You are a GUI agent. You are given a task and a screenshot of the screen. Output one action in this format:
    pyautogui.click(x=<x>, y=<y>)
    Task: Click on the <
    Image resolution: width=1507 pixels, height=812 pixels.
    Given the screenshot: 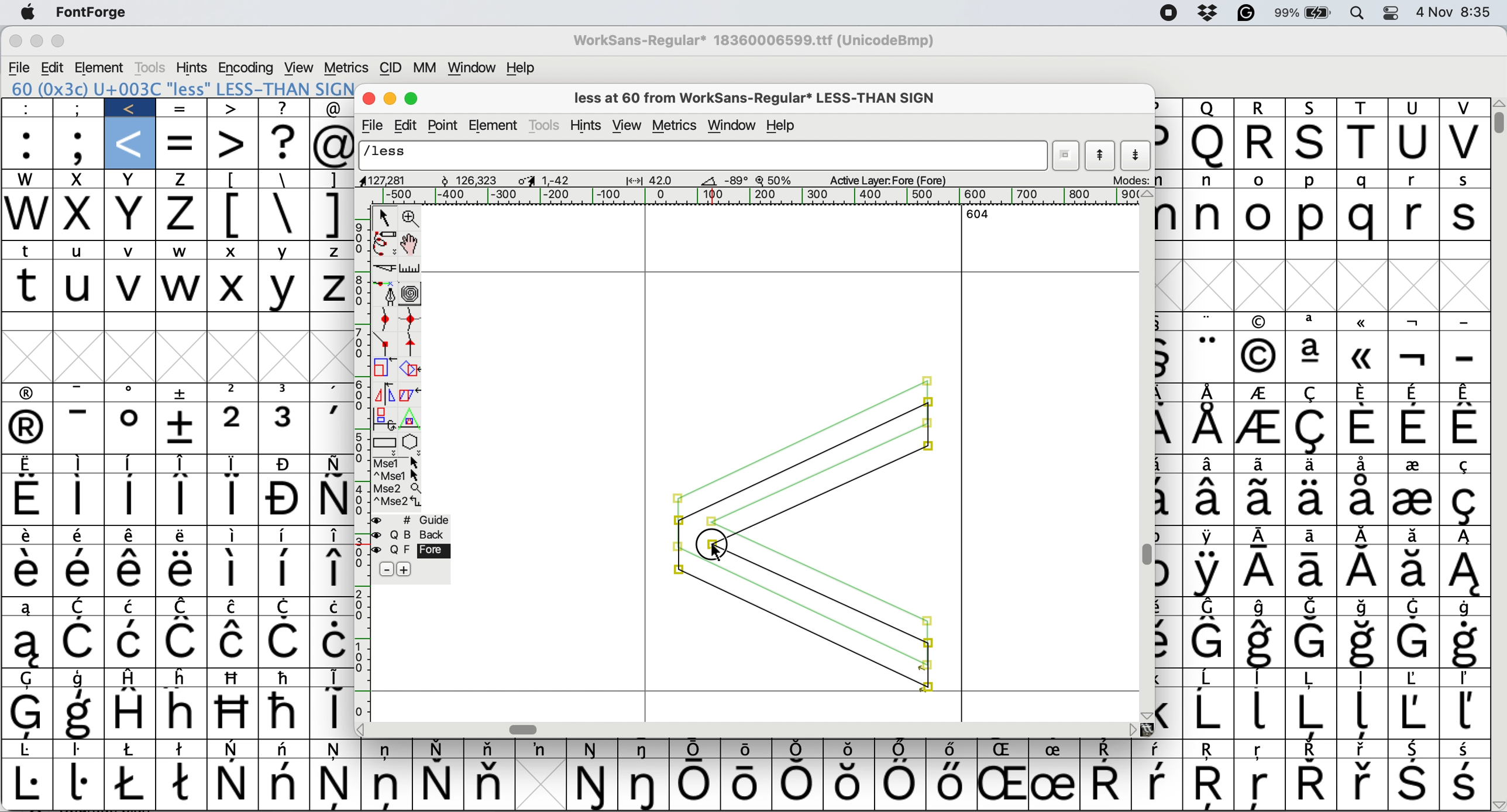 What is the action you would take?
    pyautogui.click(x=132, y=108)
    